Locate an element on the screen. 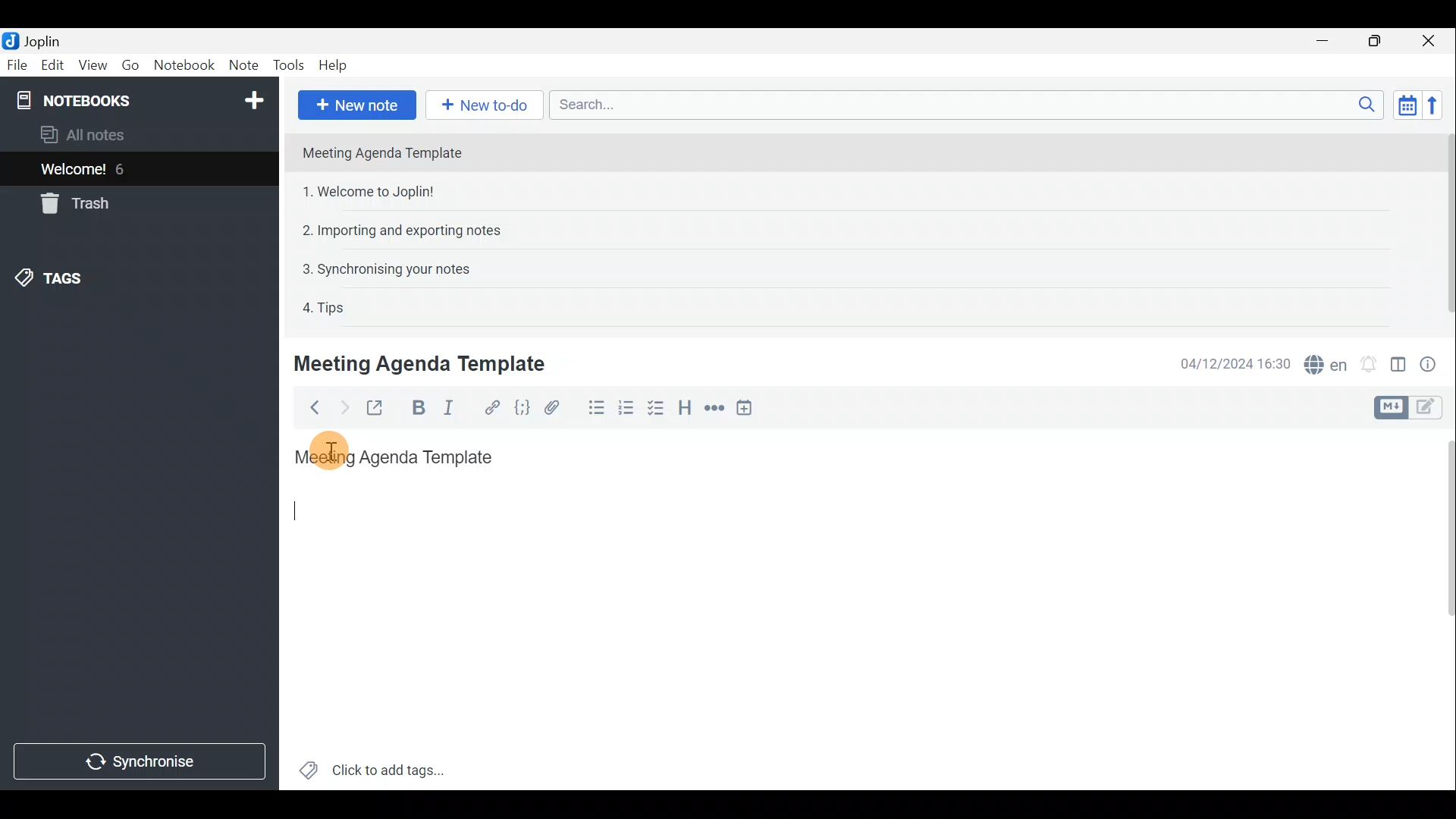 This screenshot has height=819, width=1456. Meeting Agenda Template is located at coordinates (422, 363).